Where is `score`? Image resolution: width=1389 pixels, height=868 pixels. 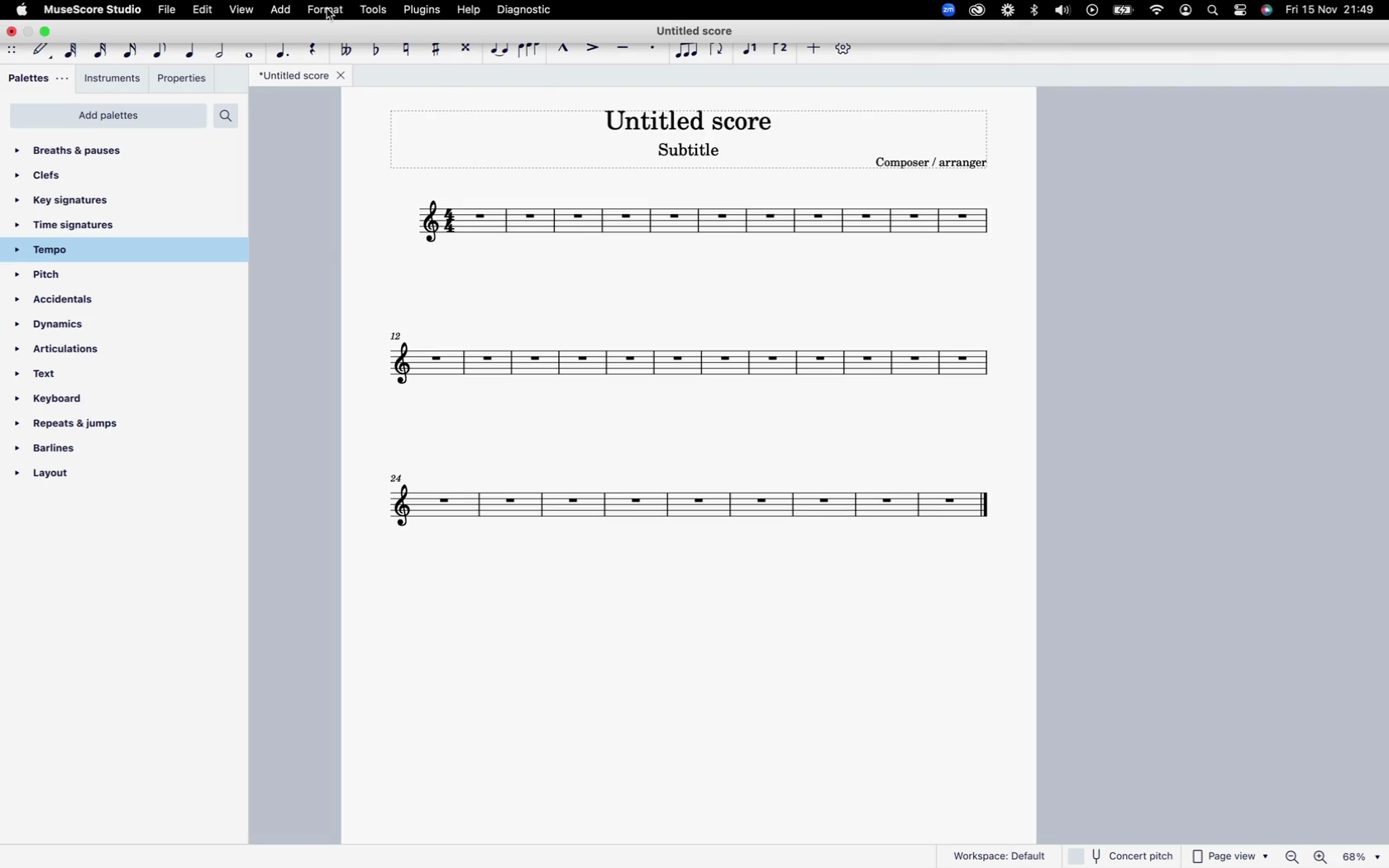
score is located at coordinates (696, 225).